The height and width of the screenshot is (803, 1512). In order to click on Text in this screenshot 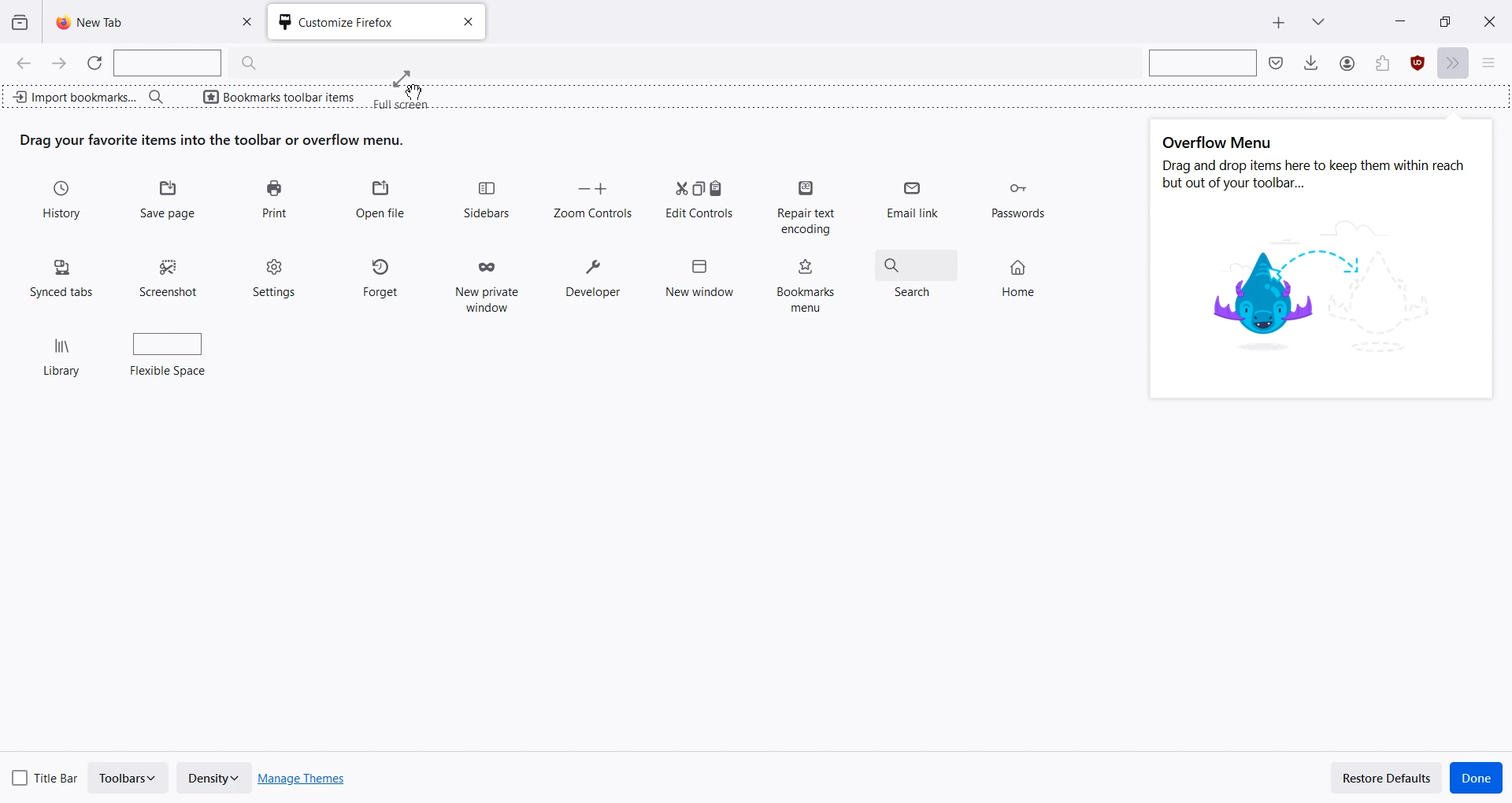, I will do `click(1316, 164)`.